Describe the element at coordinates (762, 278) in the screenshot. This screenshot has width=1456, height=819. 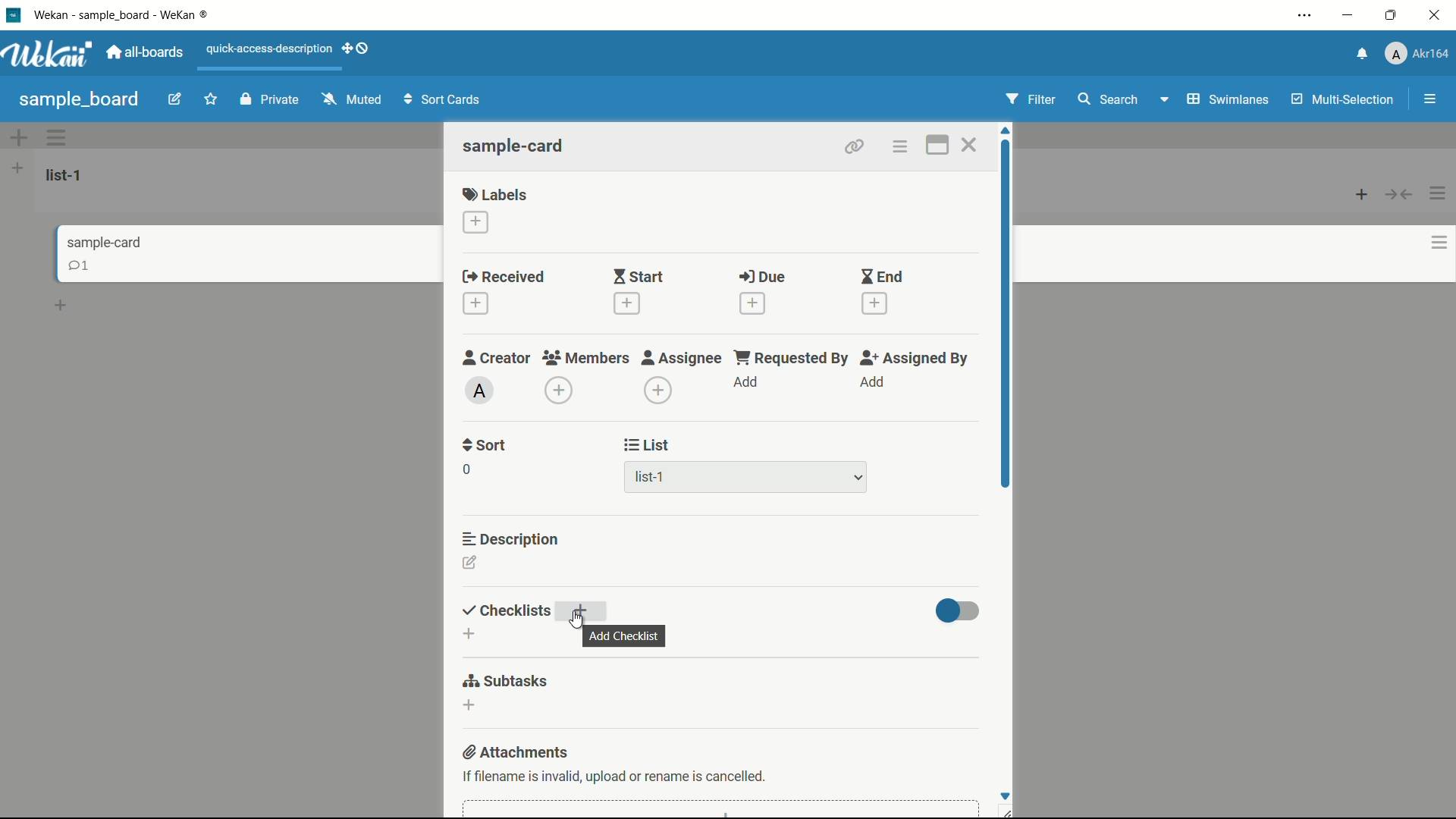
I see `due` at that location.